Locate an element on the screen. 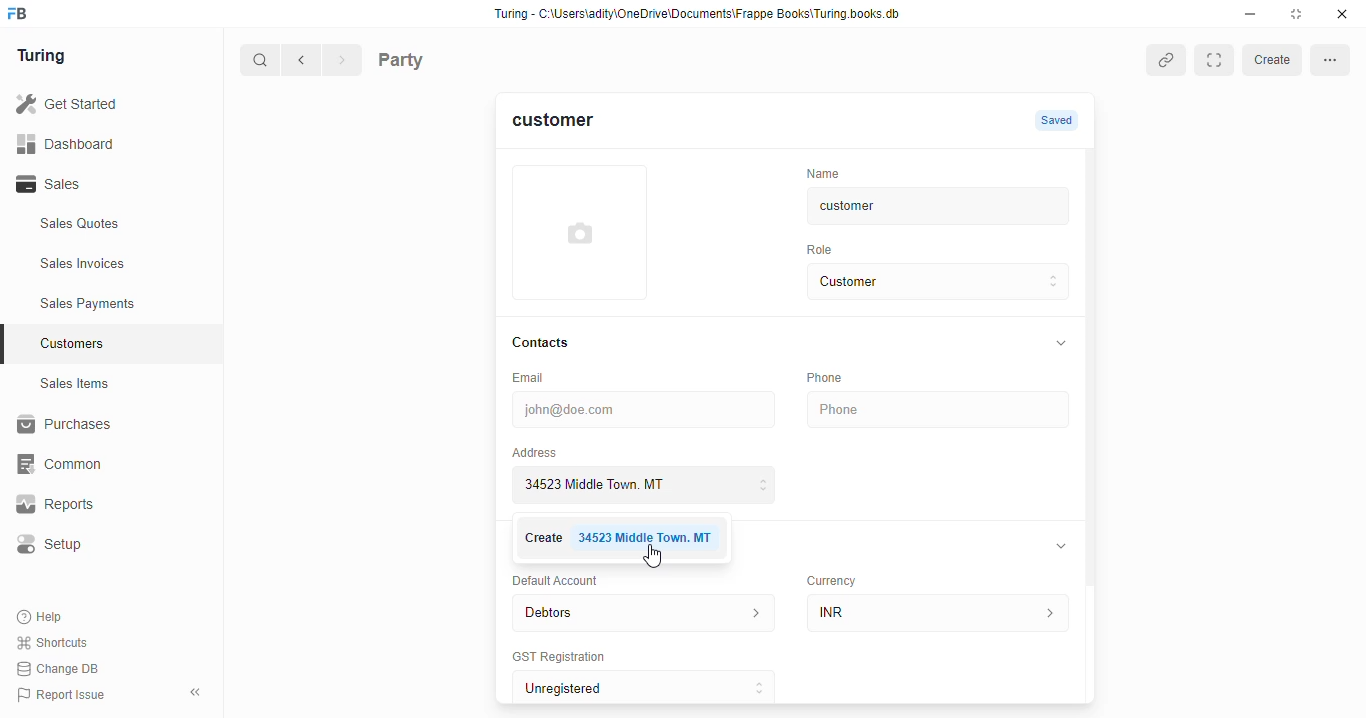  copy link is located at coordinates (1166, 59).